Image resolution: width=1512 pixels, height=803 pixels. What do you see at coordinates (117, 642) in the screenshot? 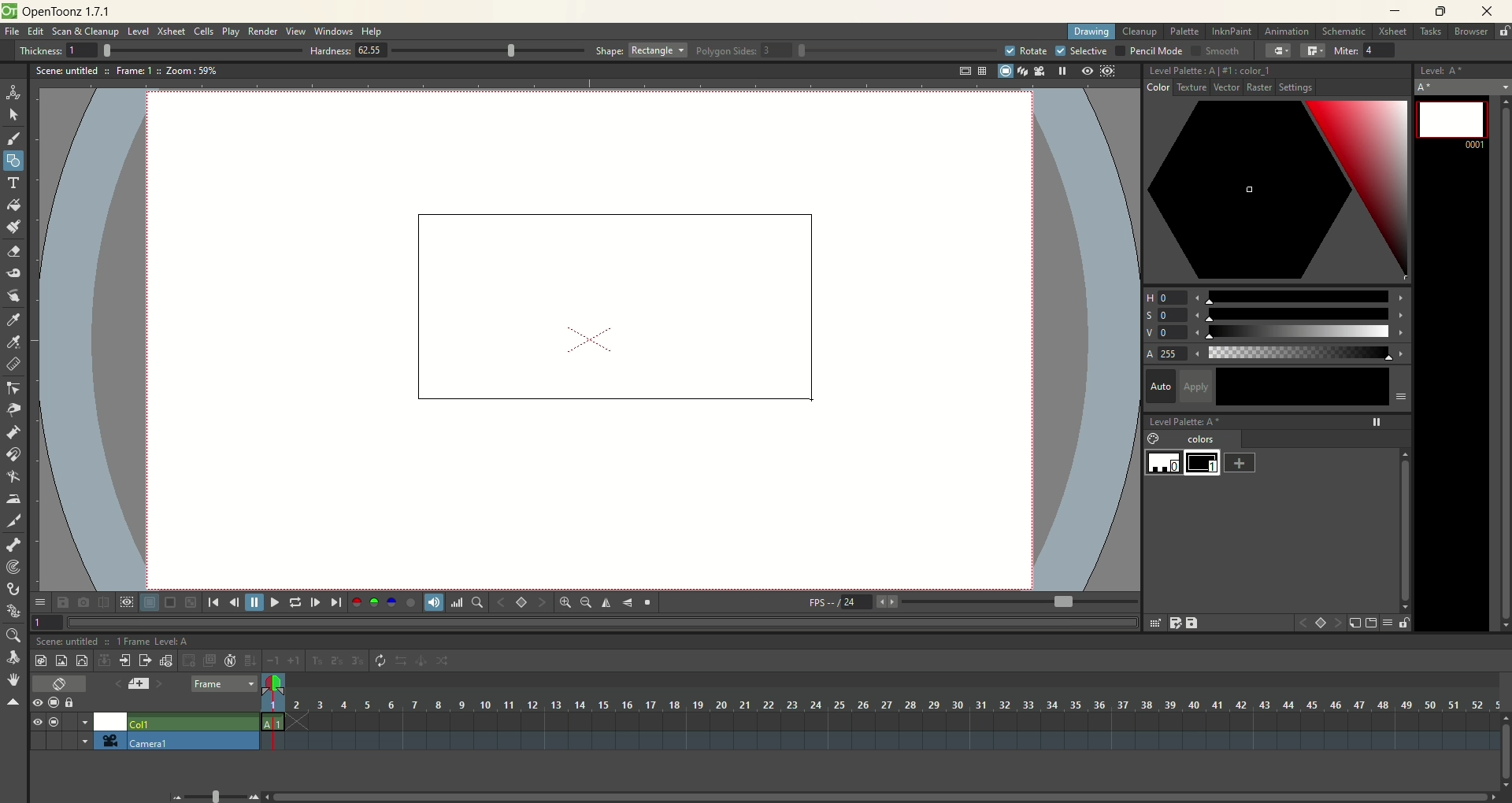
I see `scene untitled :: 1 Frame level : A` at bounding box center [117, 642].